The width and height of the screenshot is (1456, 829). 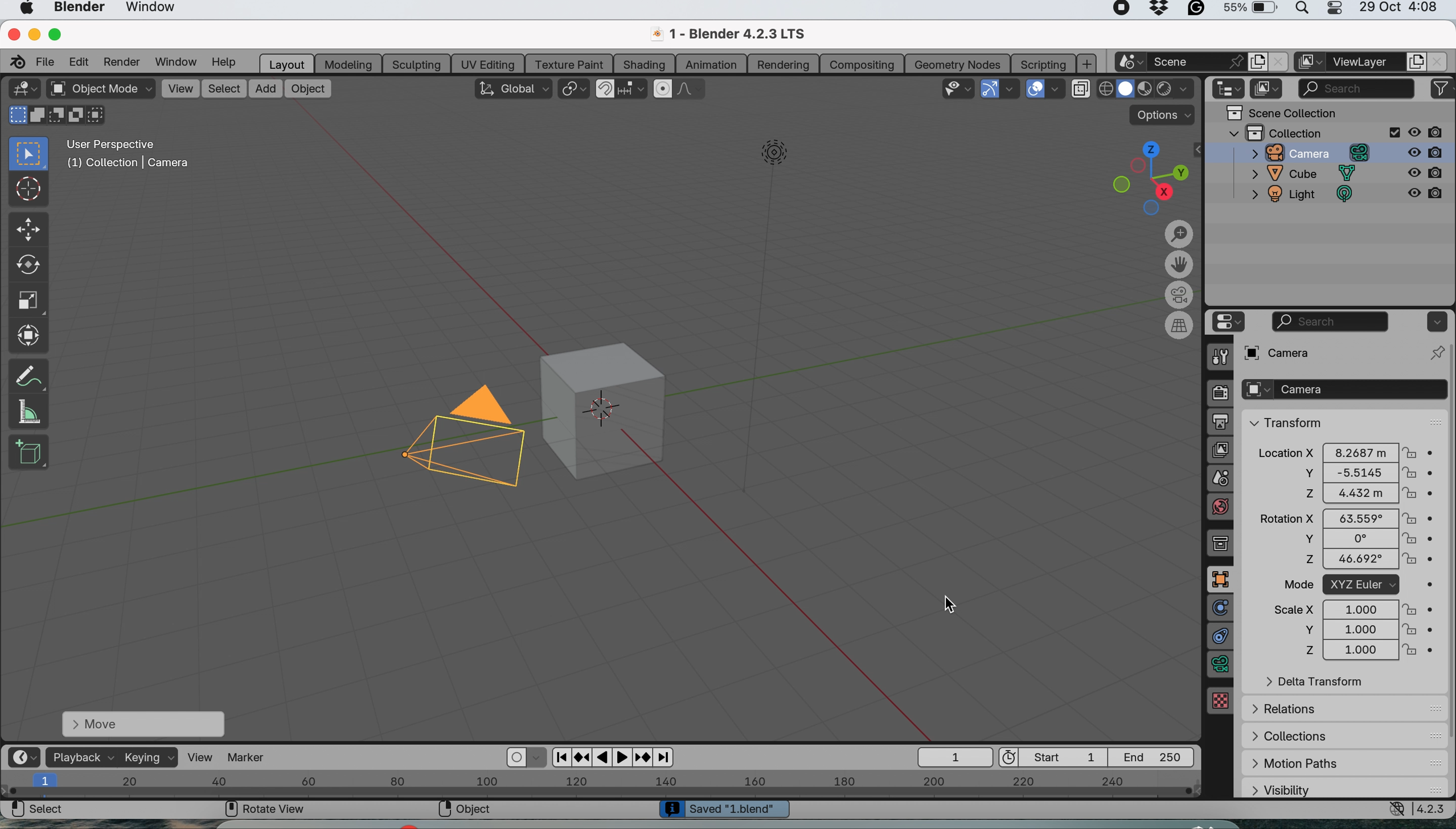 What do you see at coordinates (1425, 198) in the screenshot?
I see `disable in render` at bounding box center [1425, 198].